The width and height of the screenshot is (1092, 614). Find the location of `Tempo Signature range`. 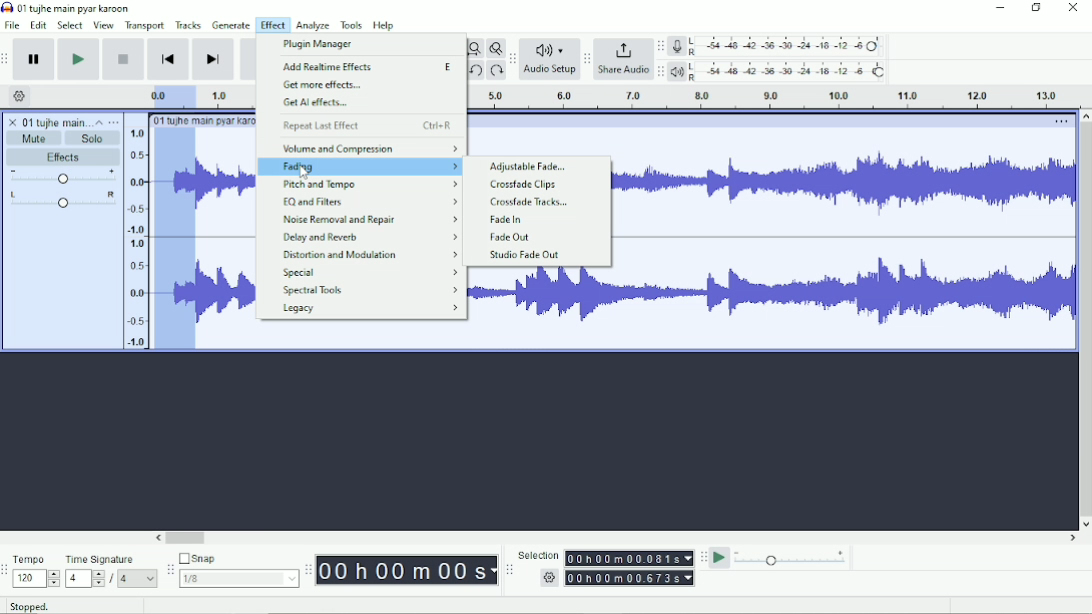

Tempo Signature range is located at coordinates (84, 578).